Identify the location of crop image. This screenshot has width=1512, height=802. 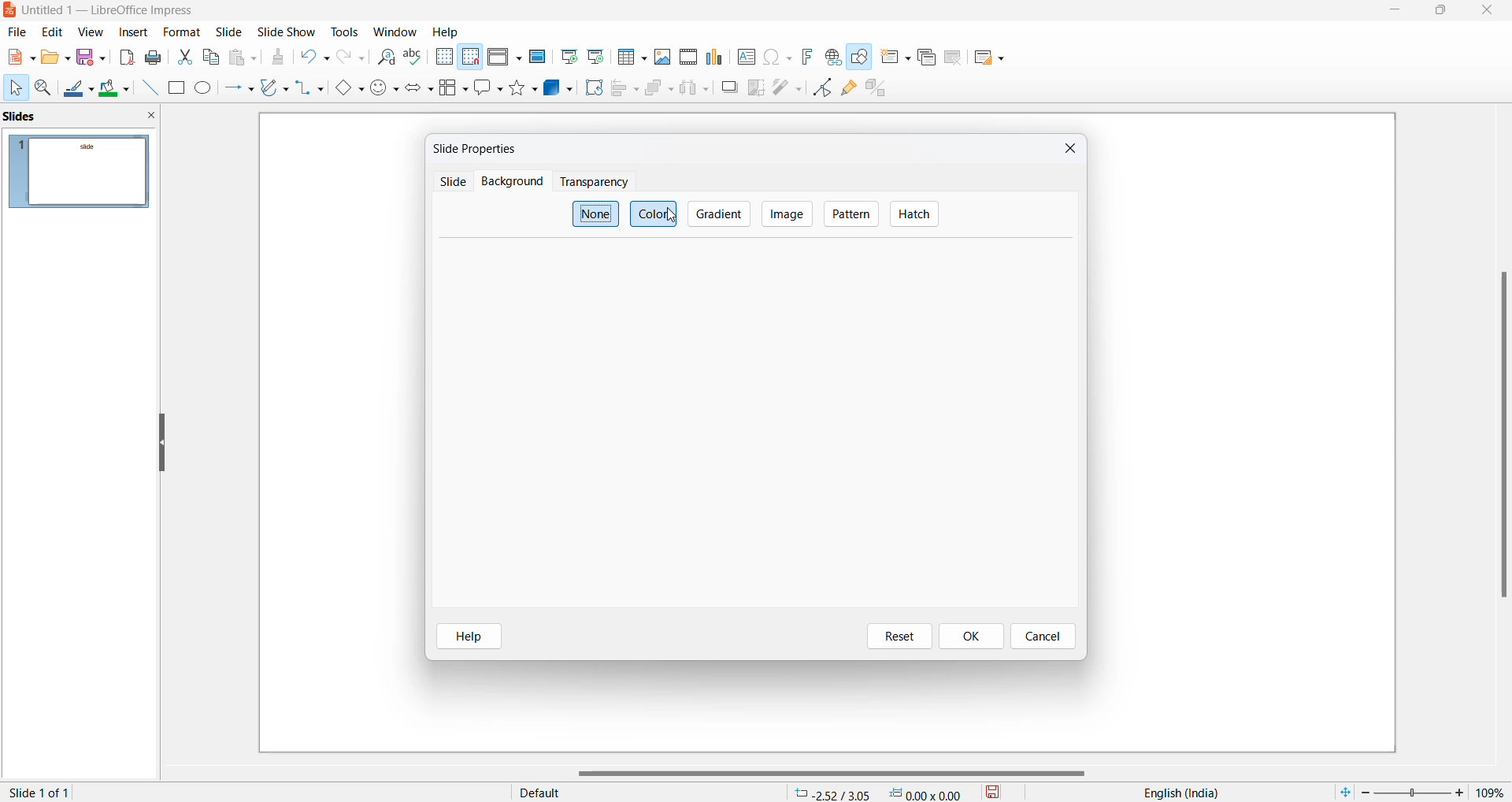
(757, 87).